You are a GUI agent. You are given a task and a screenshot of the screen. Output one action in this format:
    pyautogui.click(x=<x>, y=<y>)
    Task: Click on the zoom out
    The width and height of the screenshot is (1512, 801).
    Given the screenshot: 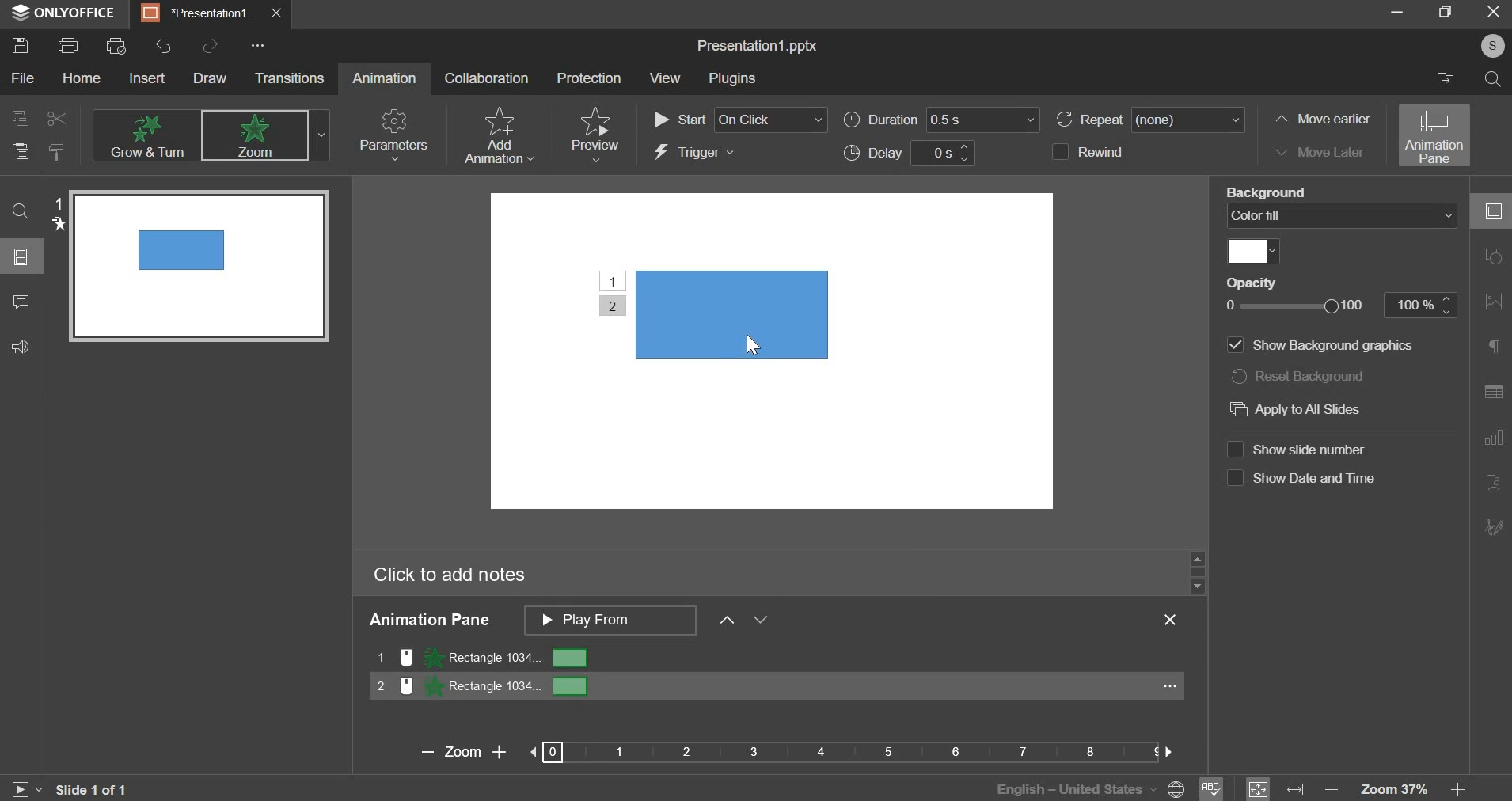 What is the action you would take?
    pyautogui.click(x=1332, y=786)
    